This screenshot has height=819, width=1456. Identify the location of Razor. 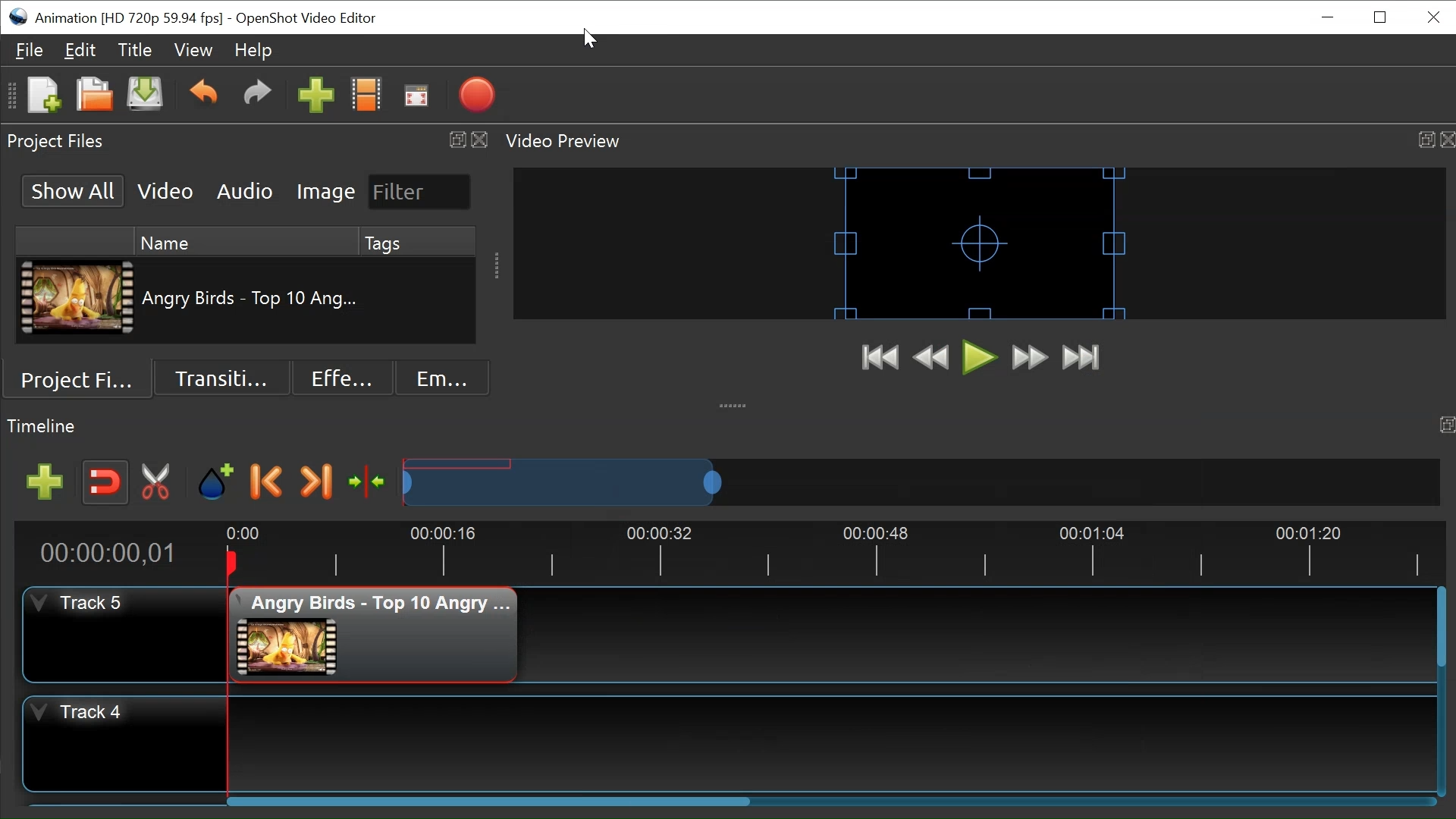
(158, 481).